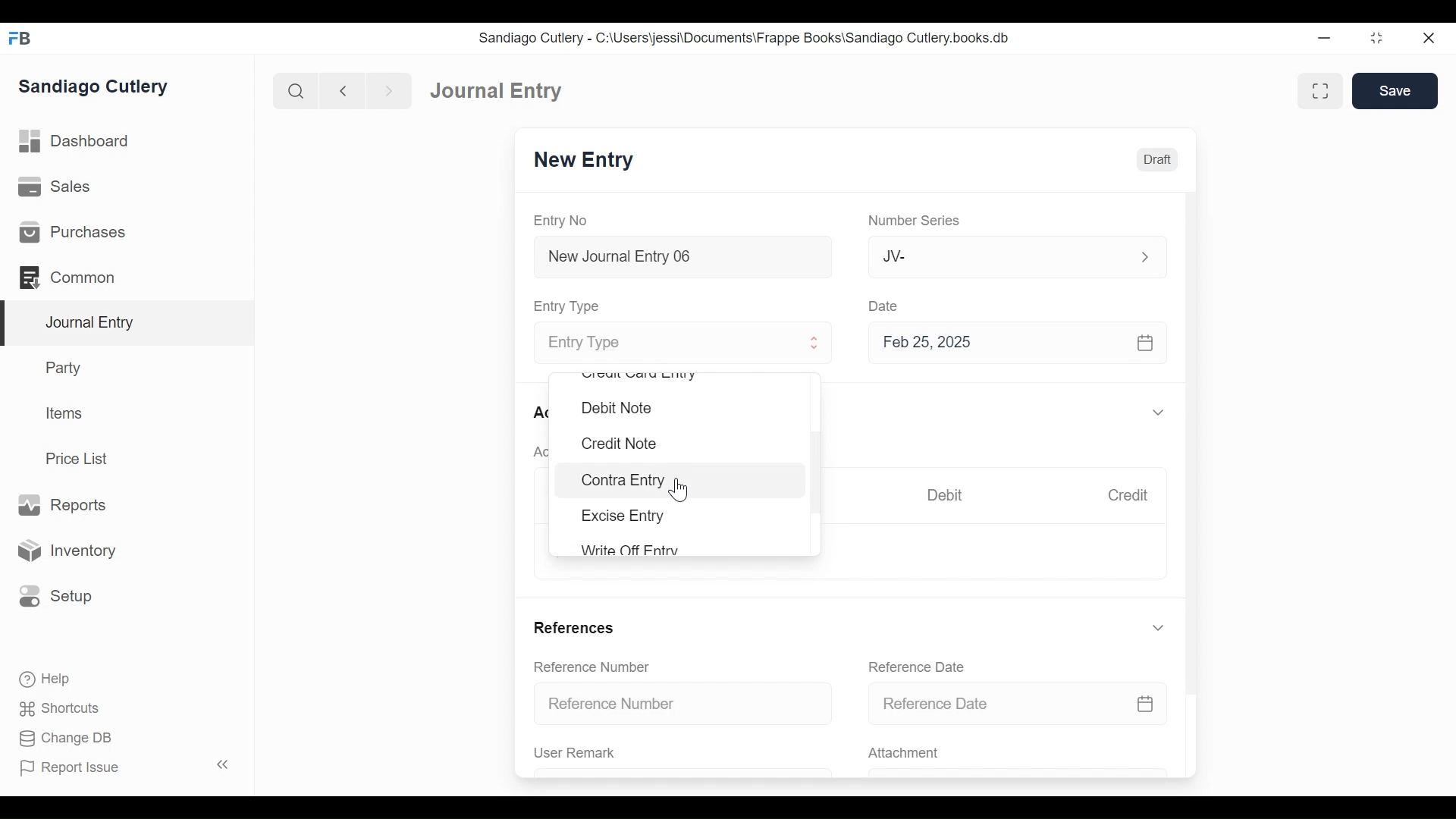  What do you see at coordinates (917, 221) in the screenshot?
I see `Number Series` at bounding box center [917, 221].